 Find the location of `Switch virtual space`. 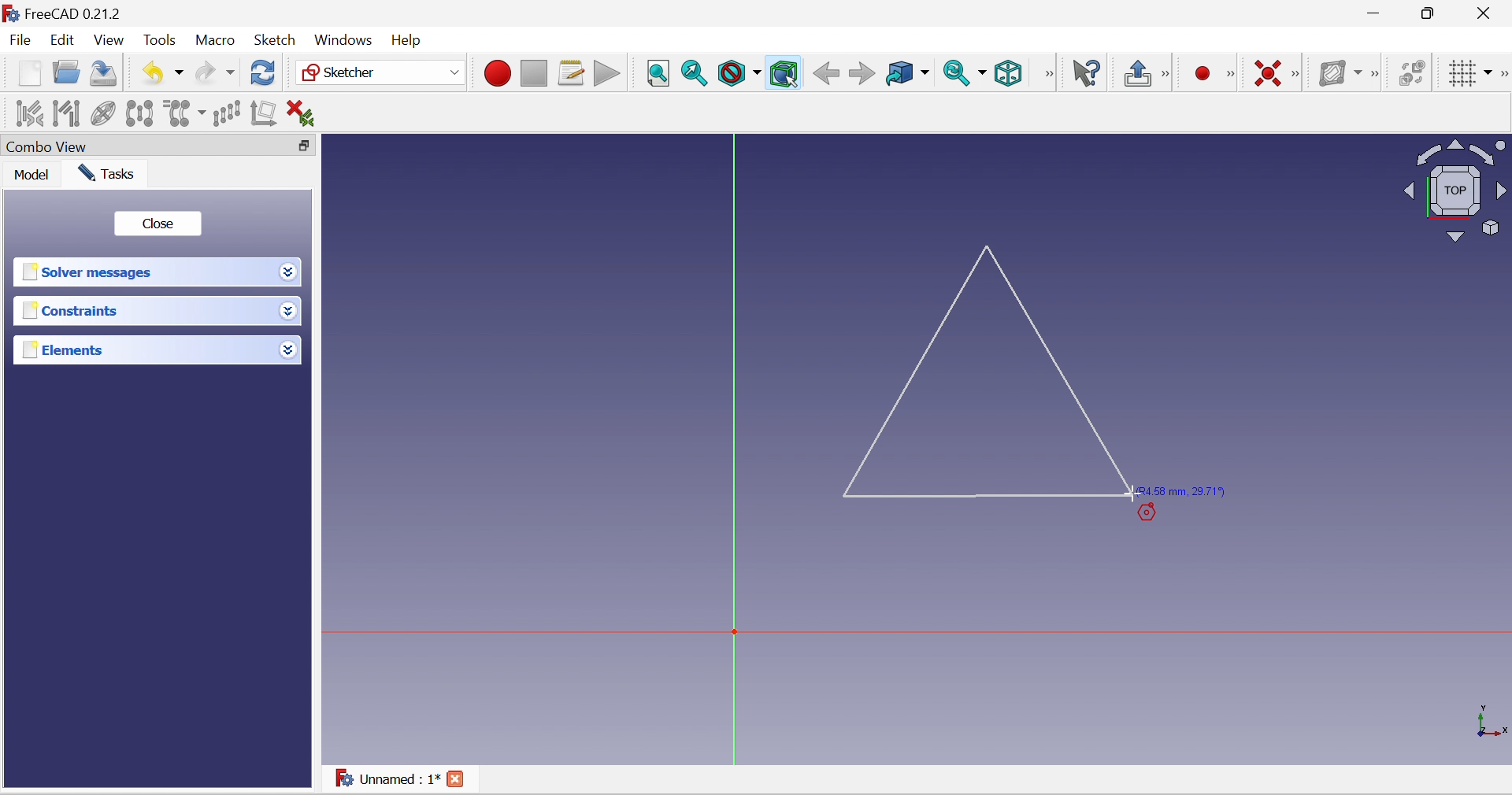

Switch virtual space is located at coordinates (1413, 75).